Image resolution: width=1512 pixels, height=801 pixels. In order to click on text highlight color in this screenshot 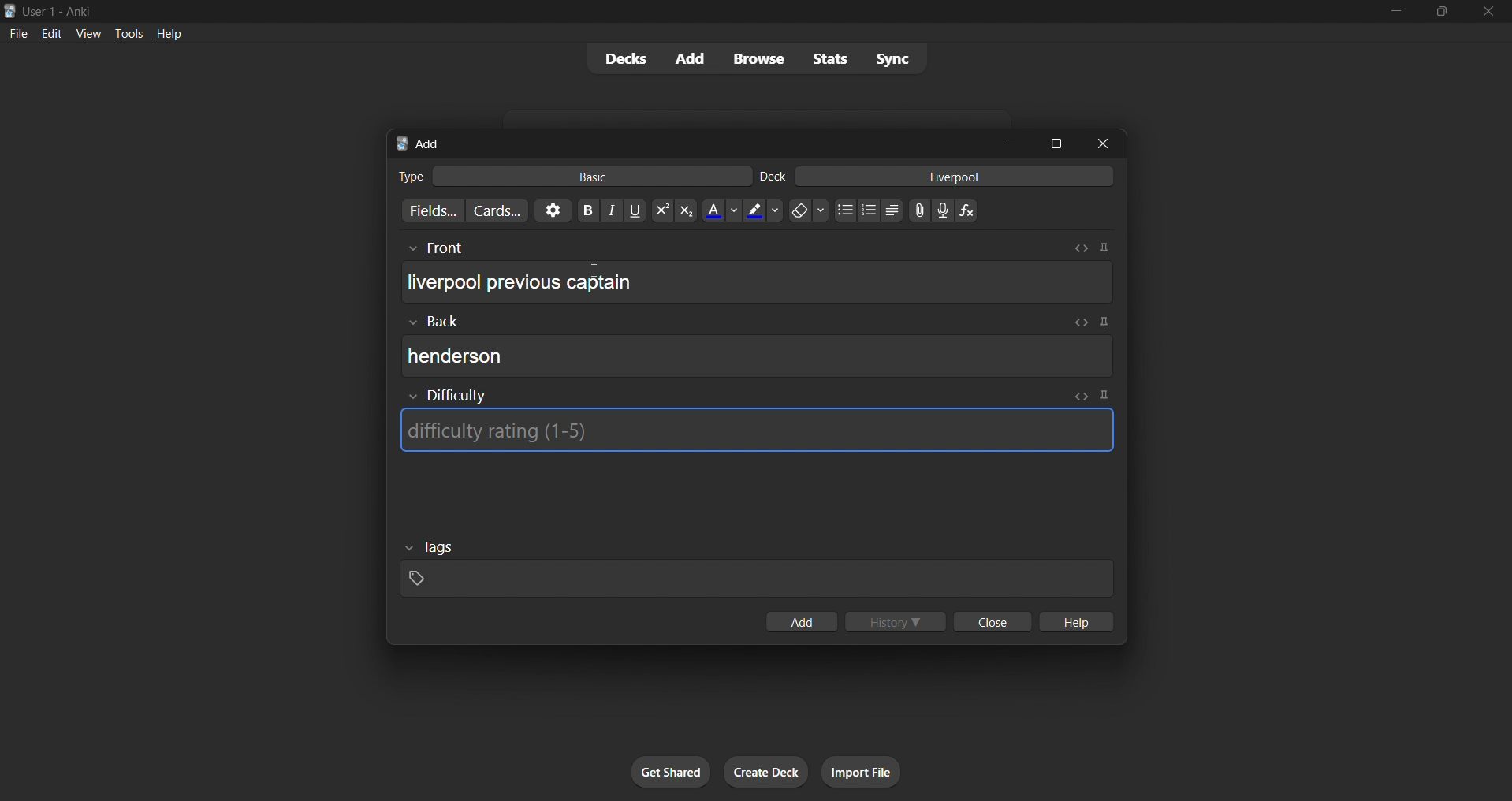, I will do `click(763, 210)`.